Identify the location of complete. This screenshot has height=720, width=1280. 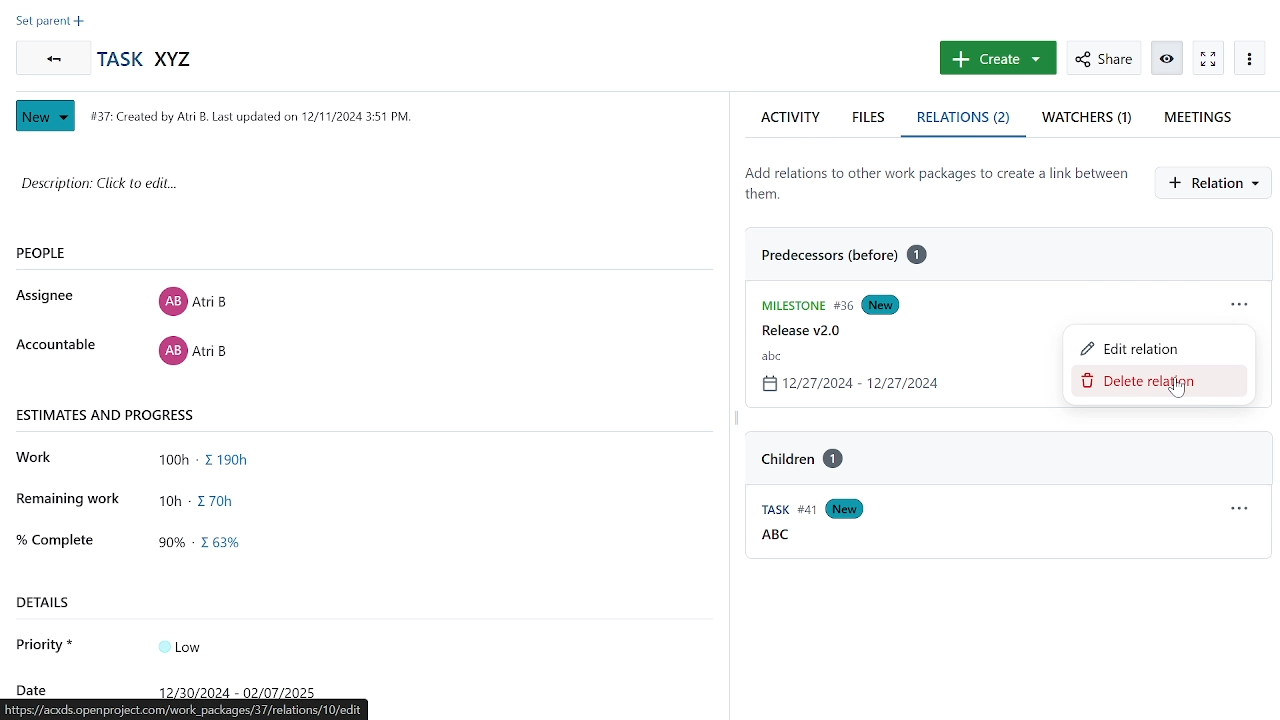
(54, 538).